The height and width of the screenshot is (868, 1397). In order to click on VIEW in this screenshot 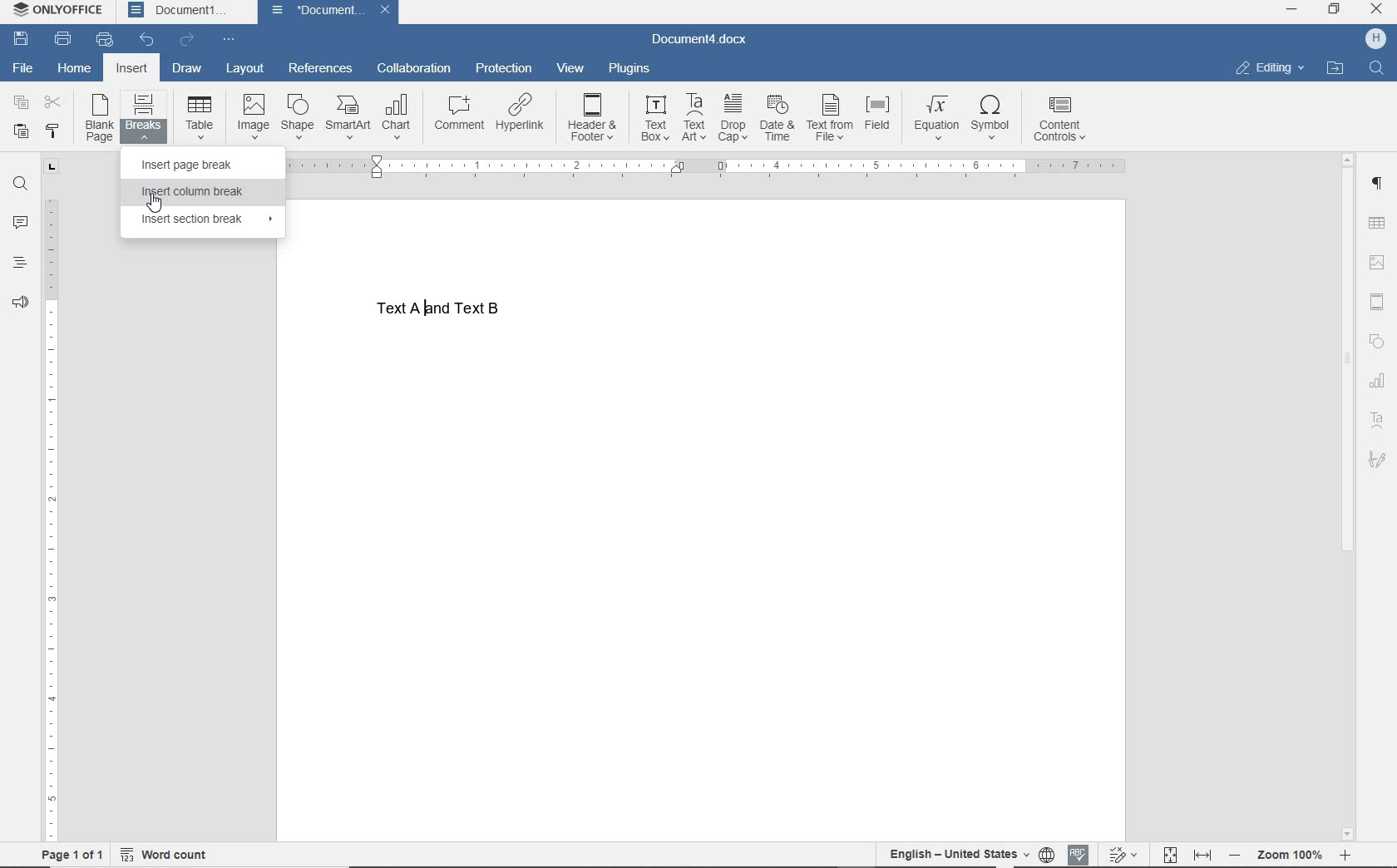, I will do `click(572, 69)`.